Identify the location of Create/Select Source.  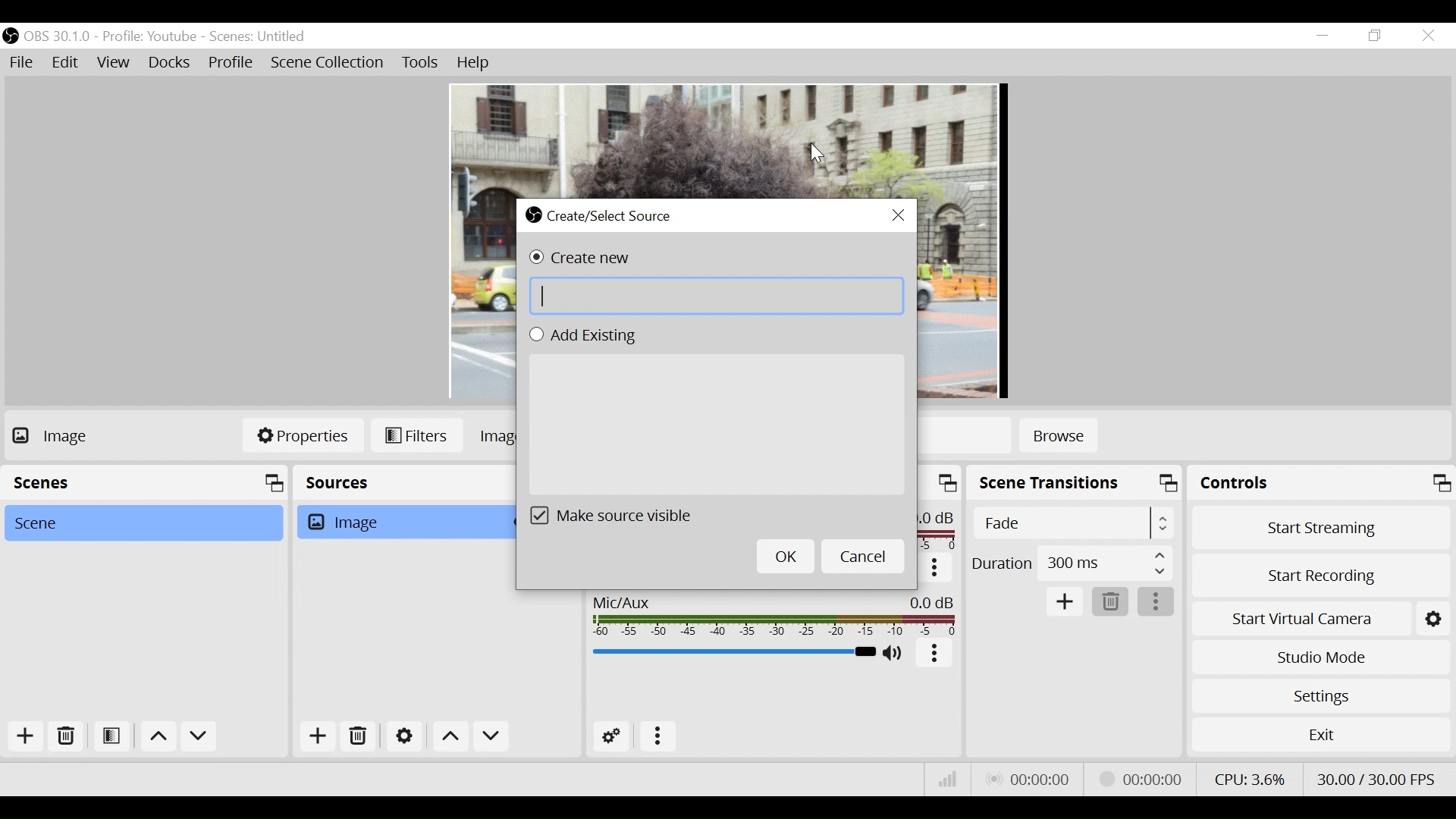
(604, 215).